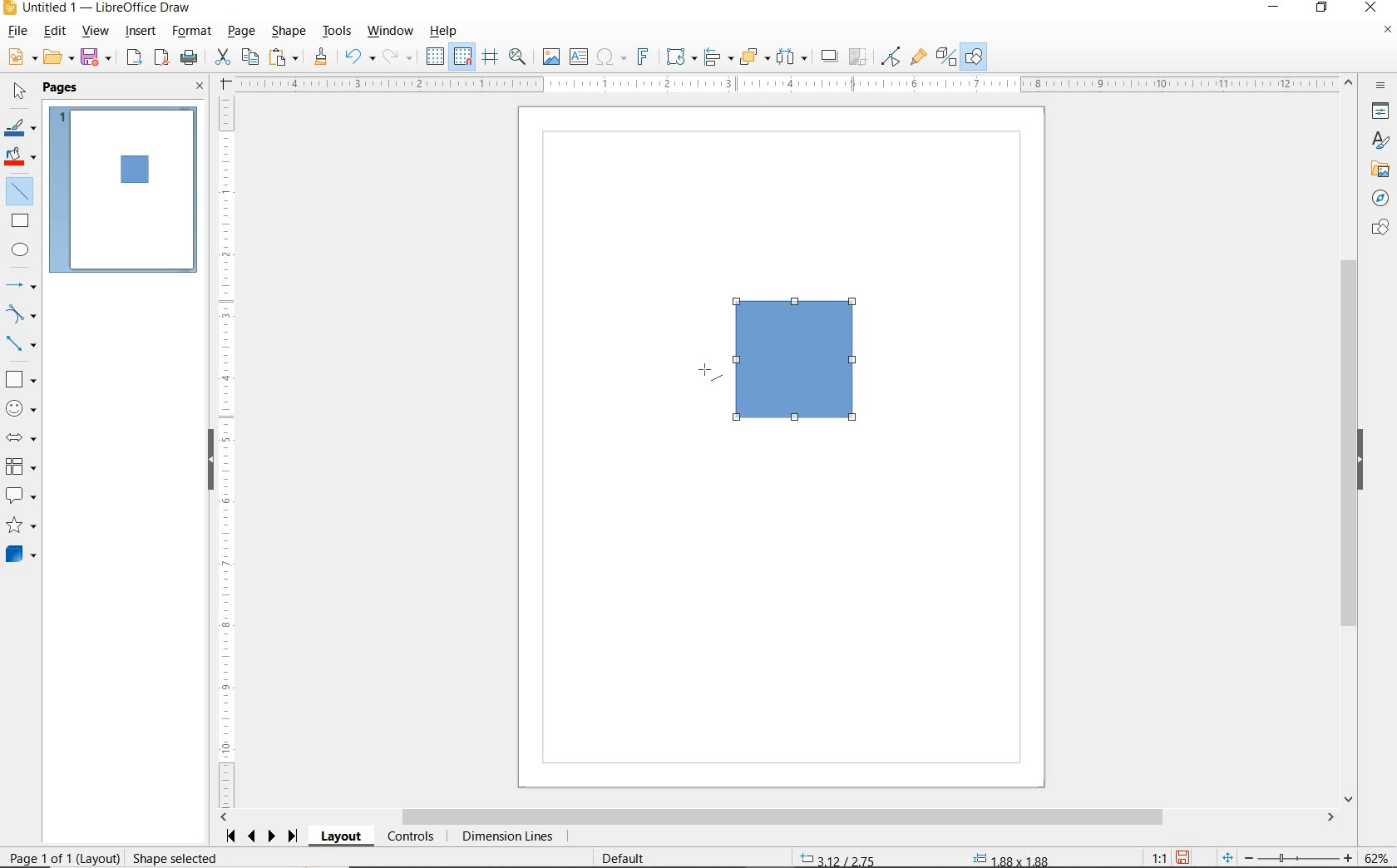 Image resolution: width=1397 pixels, height=868 pixels. I want to click on PRINT, so click(190, 60).